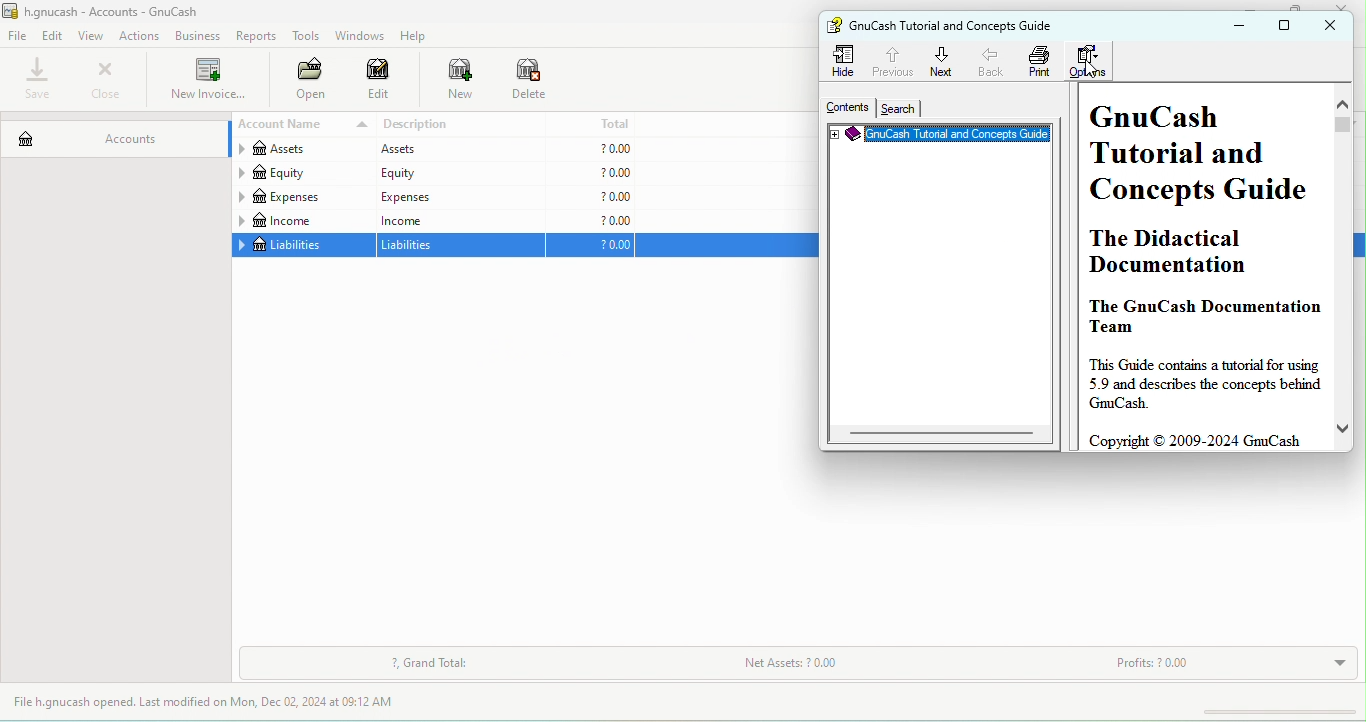 This screenshot has width=1366, height=722. Describe the element at coordinates (941, 432) in the screenshot. I see `horizontal scroll bar` at that location.